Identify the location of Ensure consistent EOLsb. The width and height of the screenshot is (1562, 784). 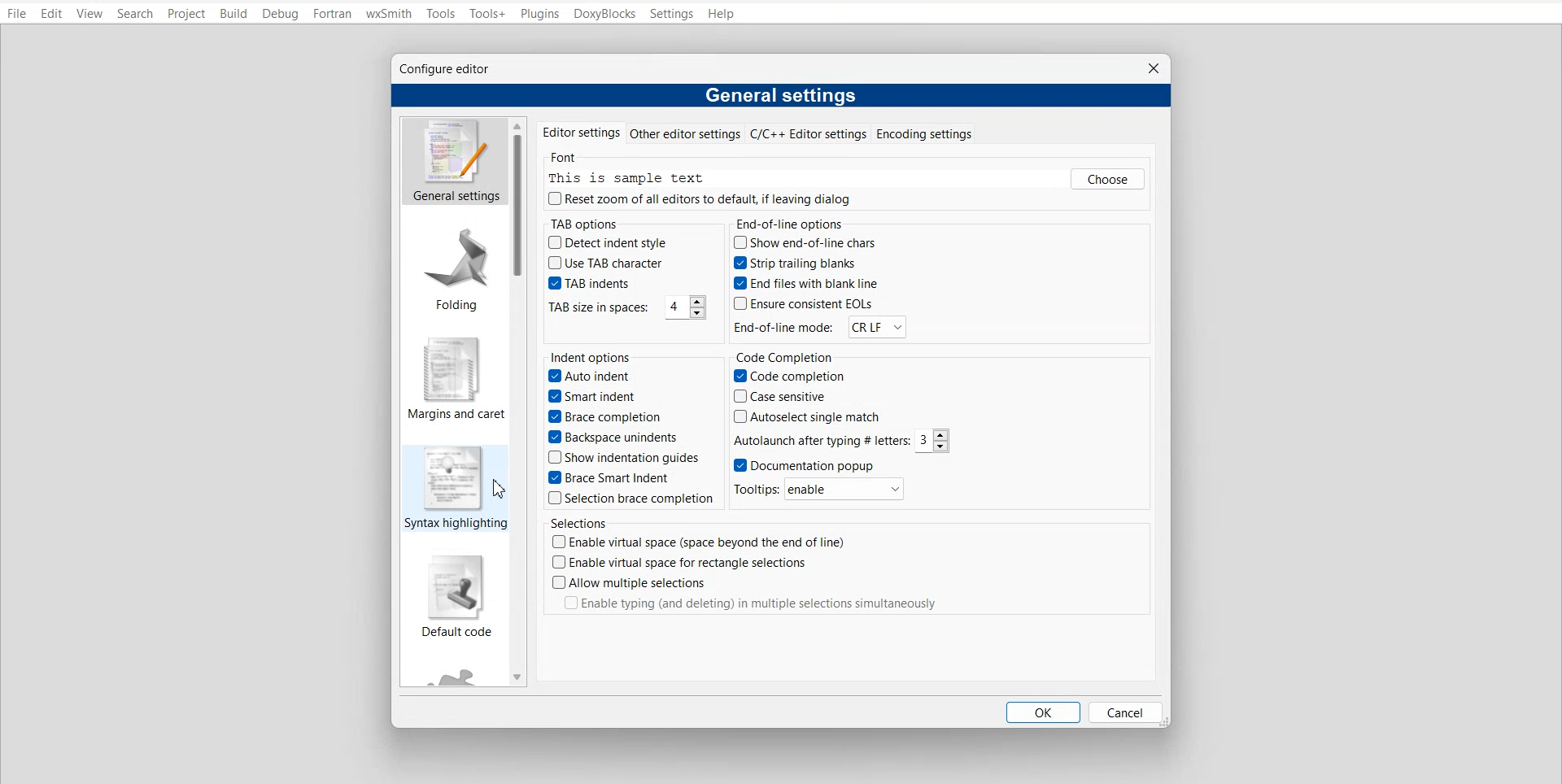
(802, 304).